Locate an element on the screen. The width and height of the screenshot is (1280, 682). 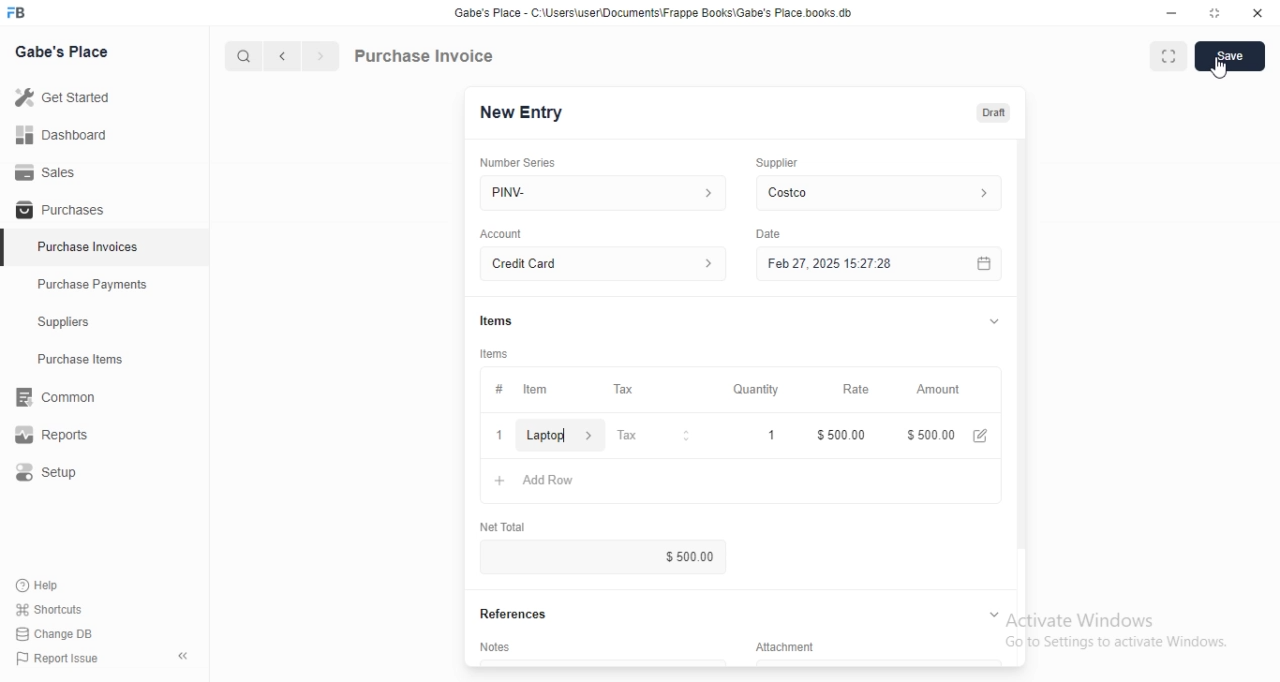
Vertical slide bar is located at coordinates (1022, 365).